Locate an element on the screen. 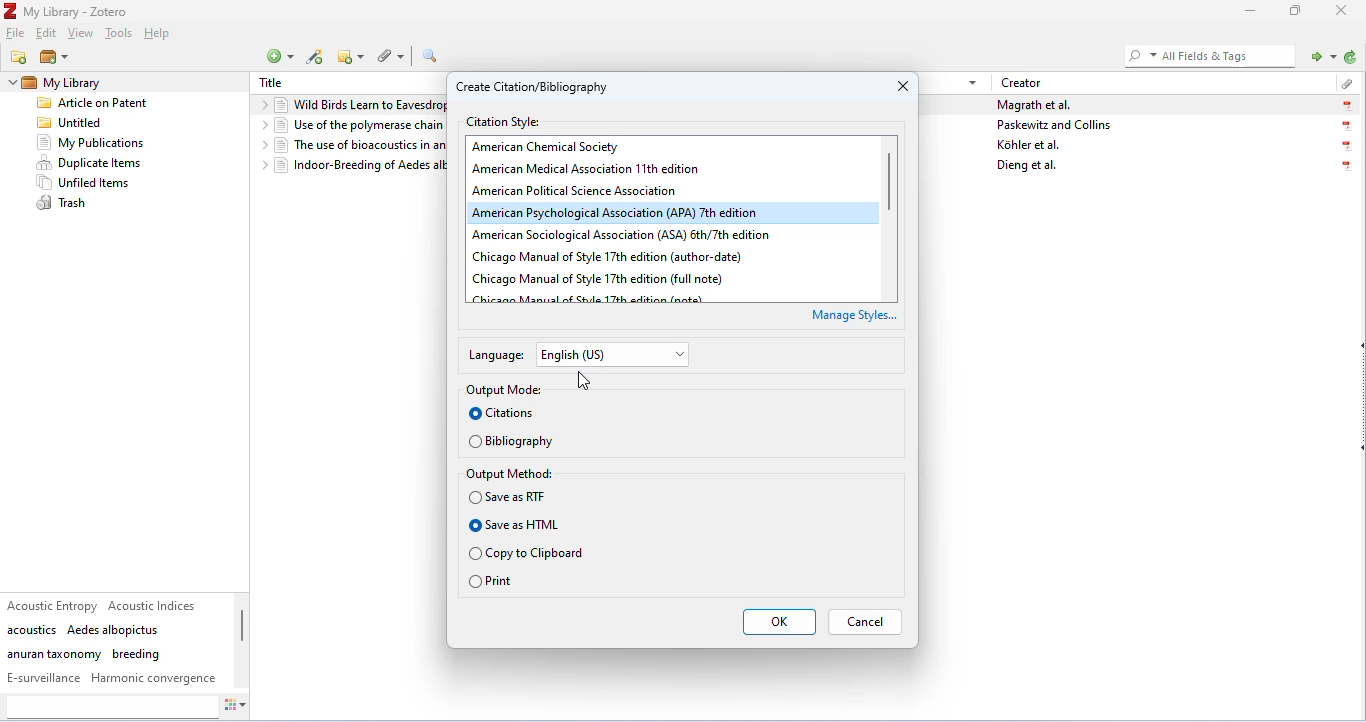  untitled is located at coordinates (70, 124).